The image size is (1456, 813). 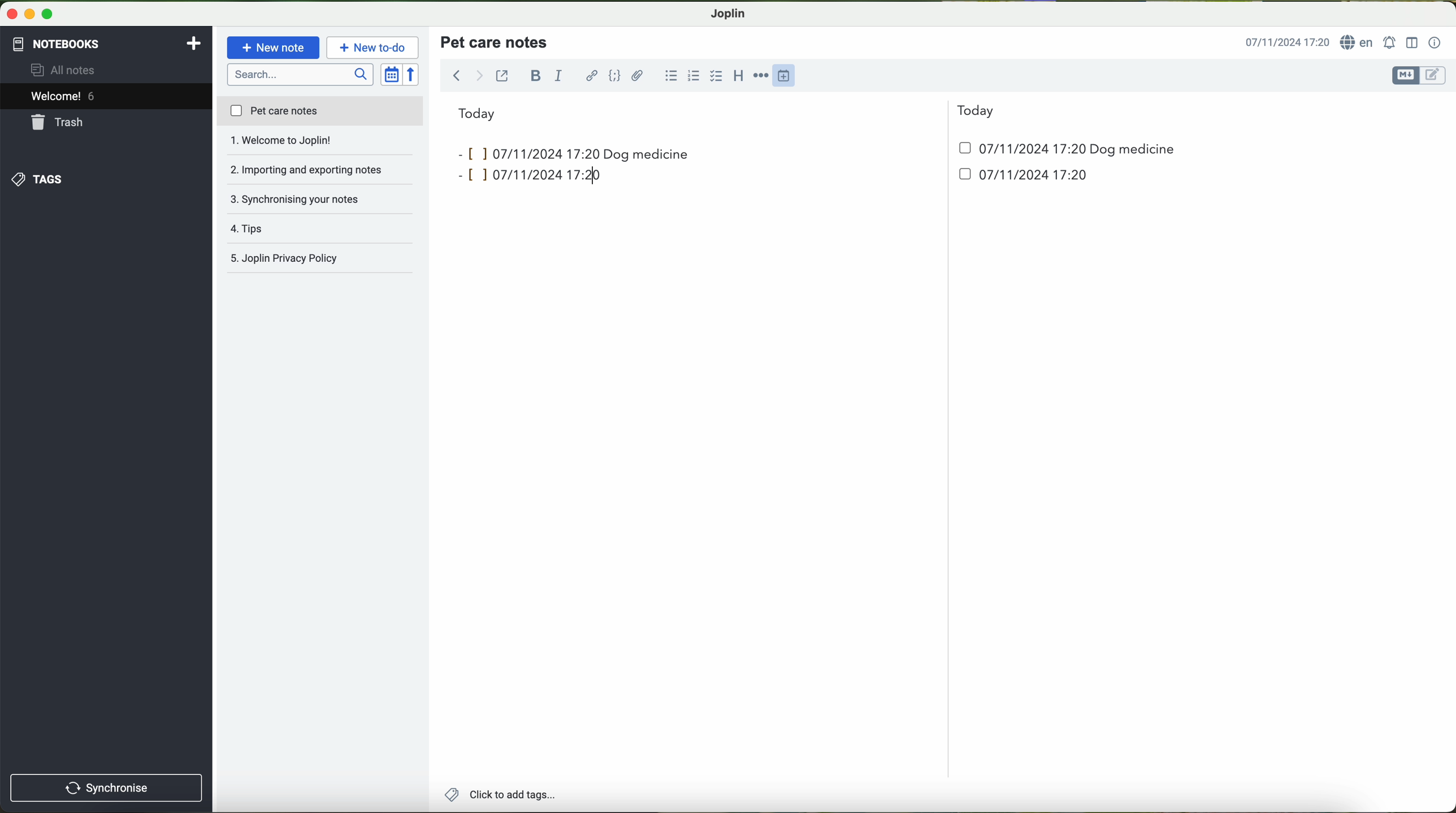 What do you see at coordinates (1133, 150) in the screenshot?
I see `dog medicine` at bounding box center [1133, 150].